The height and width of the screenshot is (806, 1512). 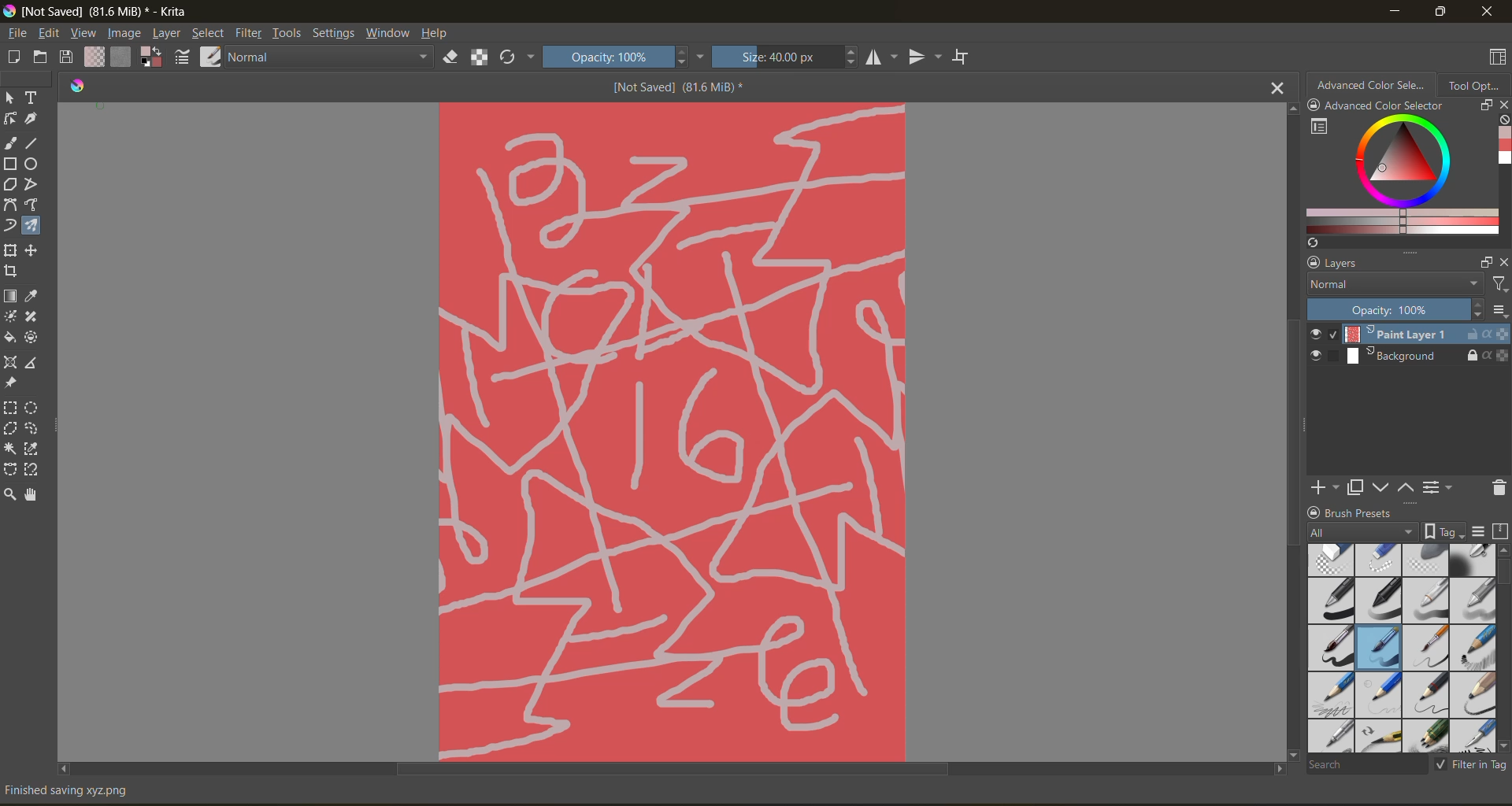 I want to click on edit, so click(x=50, y=35).